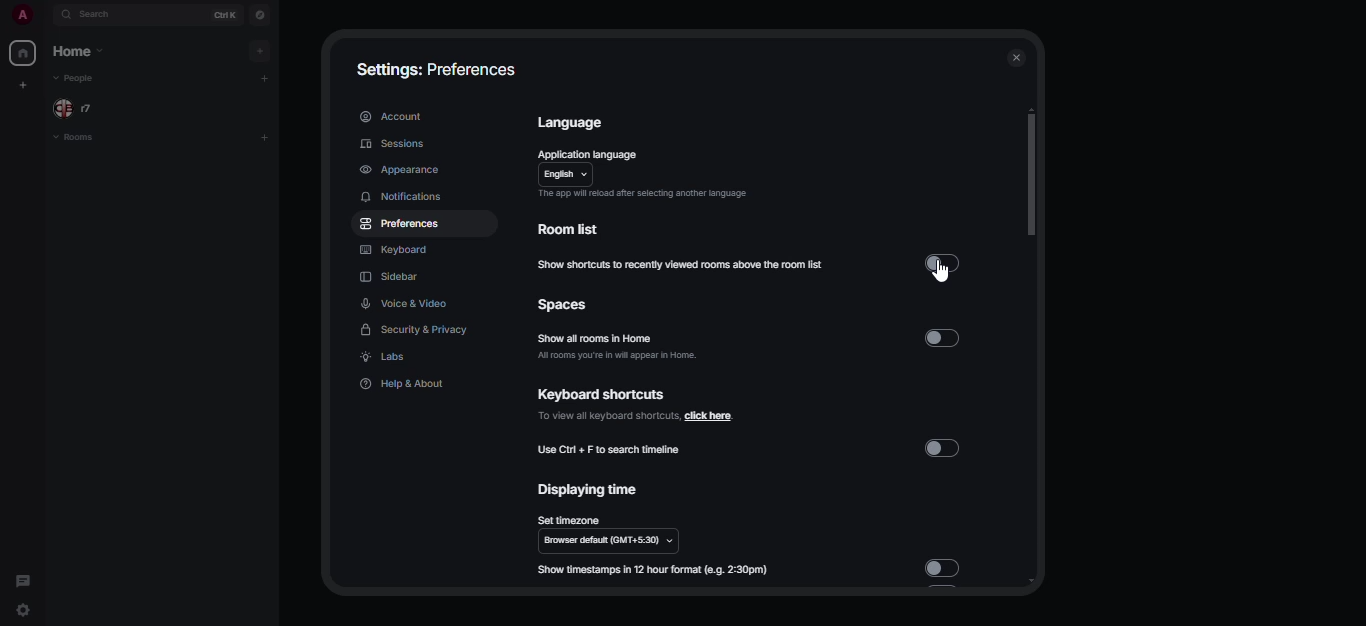  What do you see at coordinates (943, 262) in the screenshot?
I see `disabled` at bounding box center [943, 262].